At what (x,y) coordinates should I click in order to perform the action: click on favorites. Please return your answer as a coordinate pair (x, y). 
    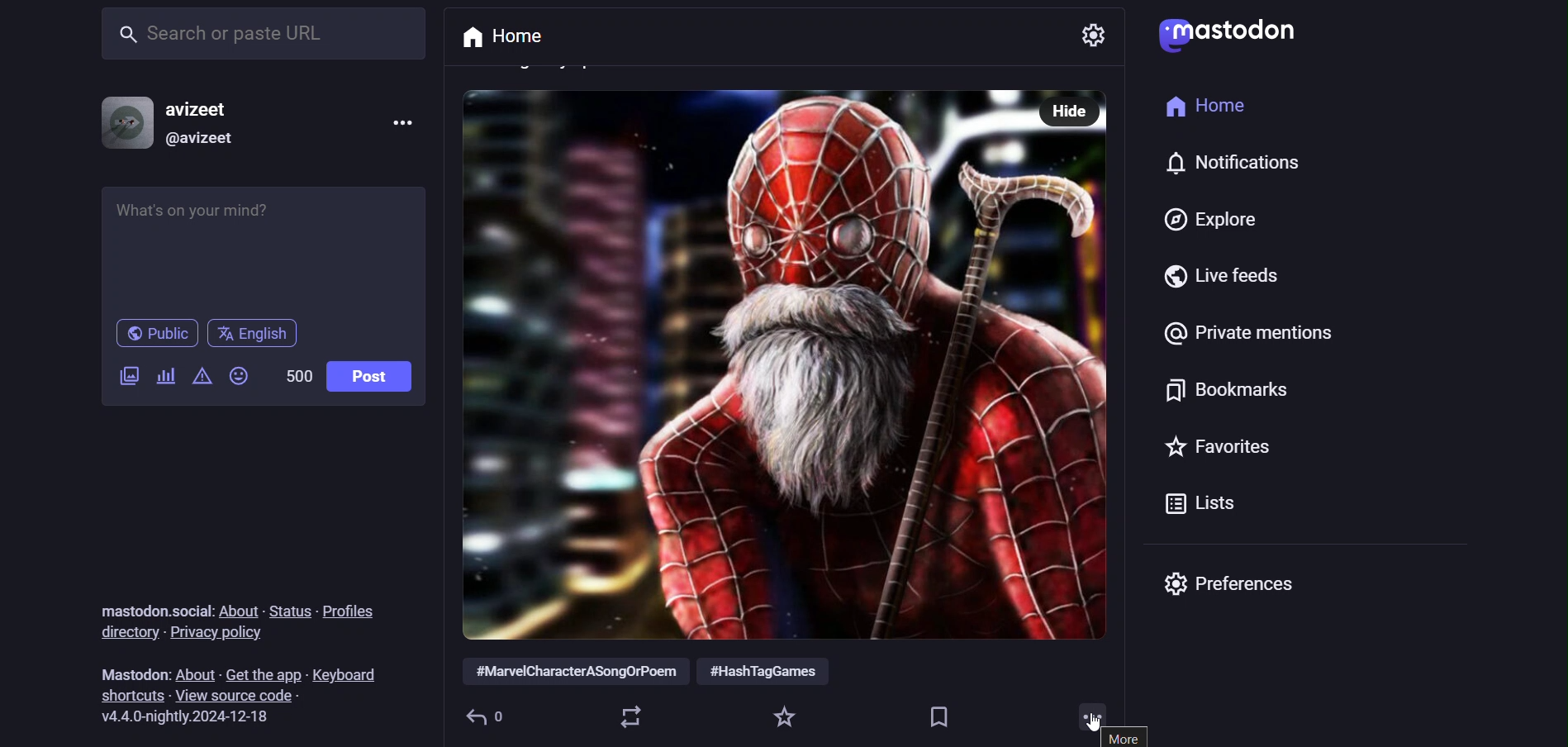
    Looking at the image, I should click on (786, 716).